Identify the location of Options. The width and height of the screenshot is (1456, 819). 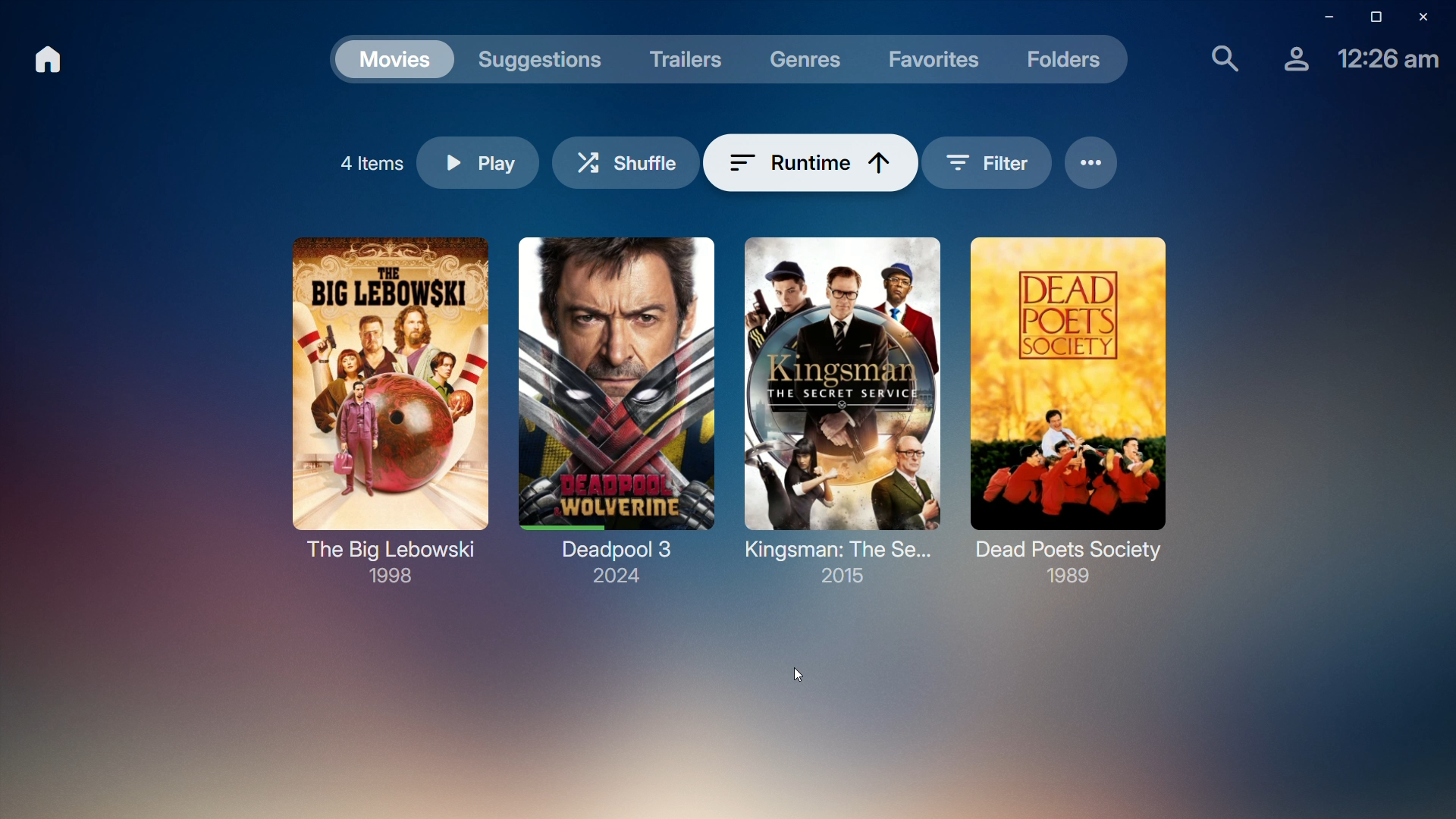
(1075, 163).